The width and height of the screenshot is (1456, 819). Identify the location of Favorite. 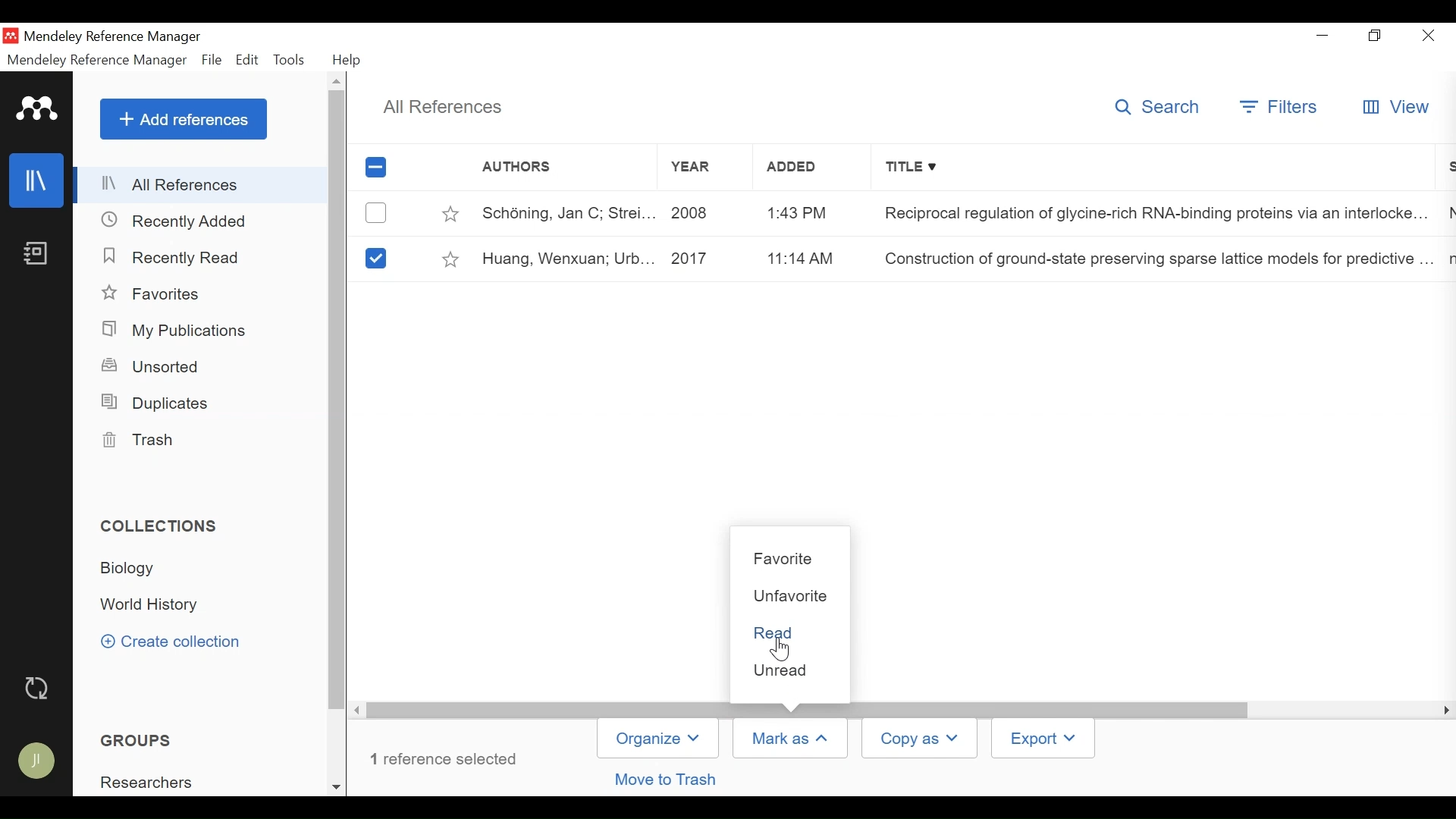
(790, 559).